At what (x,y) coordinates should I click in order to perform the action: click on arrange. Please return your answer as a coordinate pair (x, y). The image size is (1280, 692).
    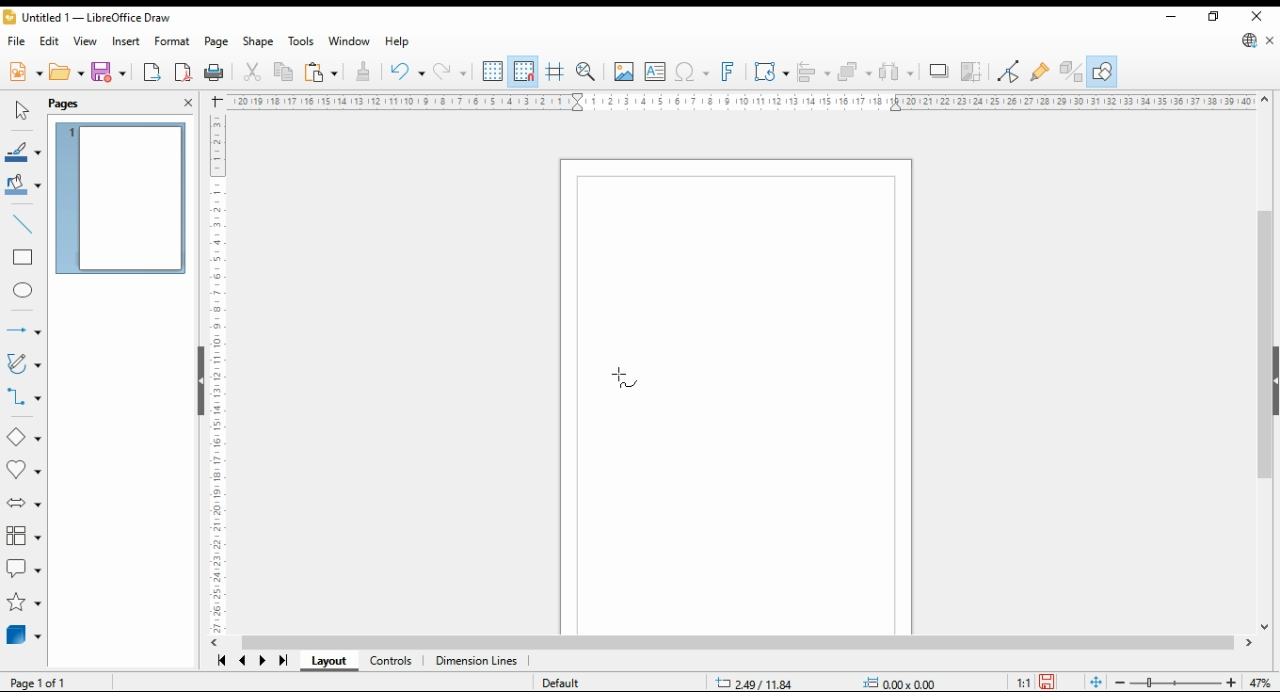
    Looking at the image, I should click on (855, 72).